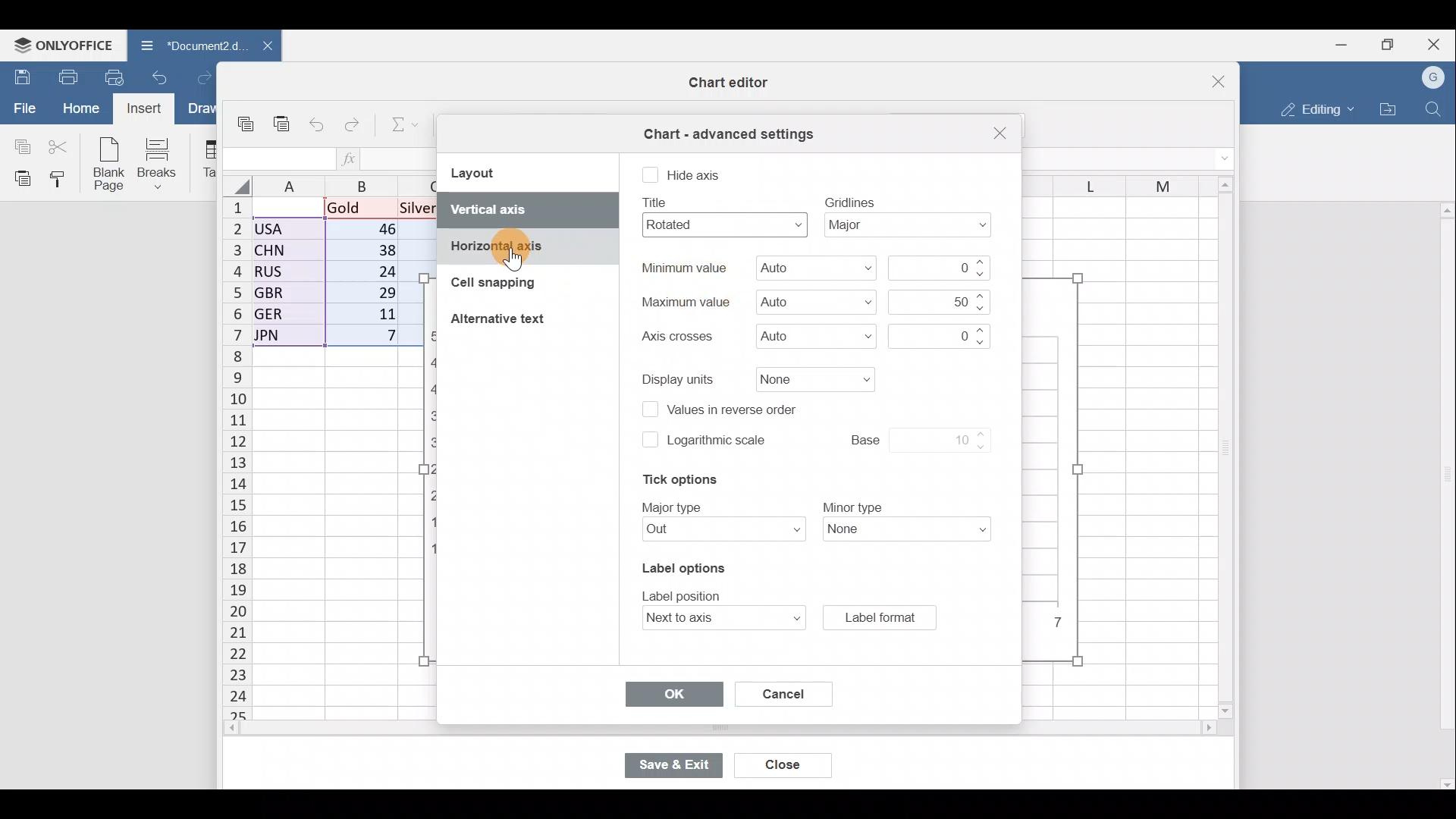  I want to click on Label options, so click(681, 565).